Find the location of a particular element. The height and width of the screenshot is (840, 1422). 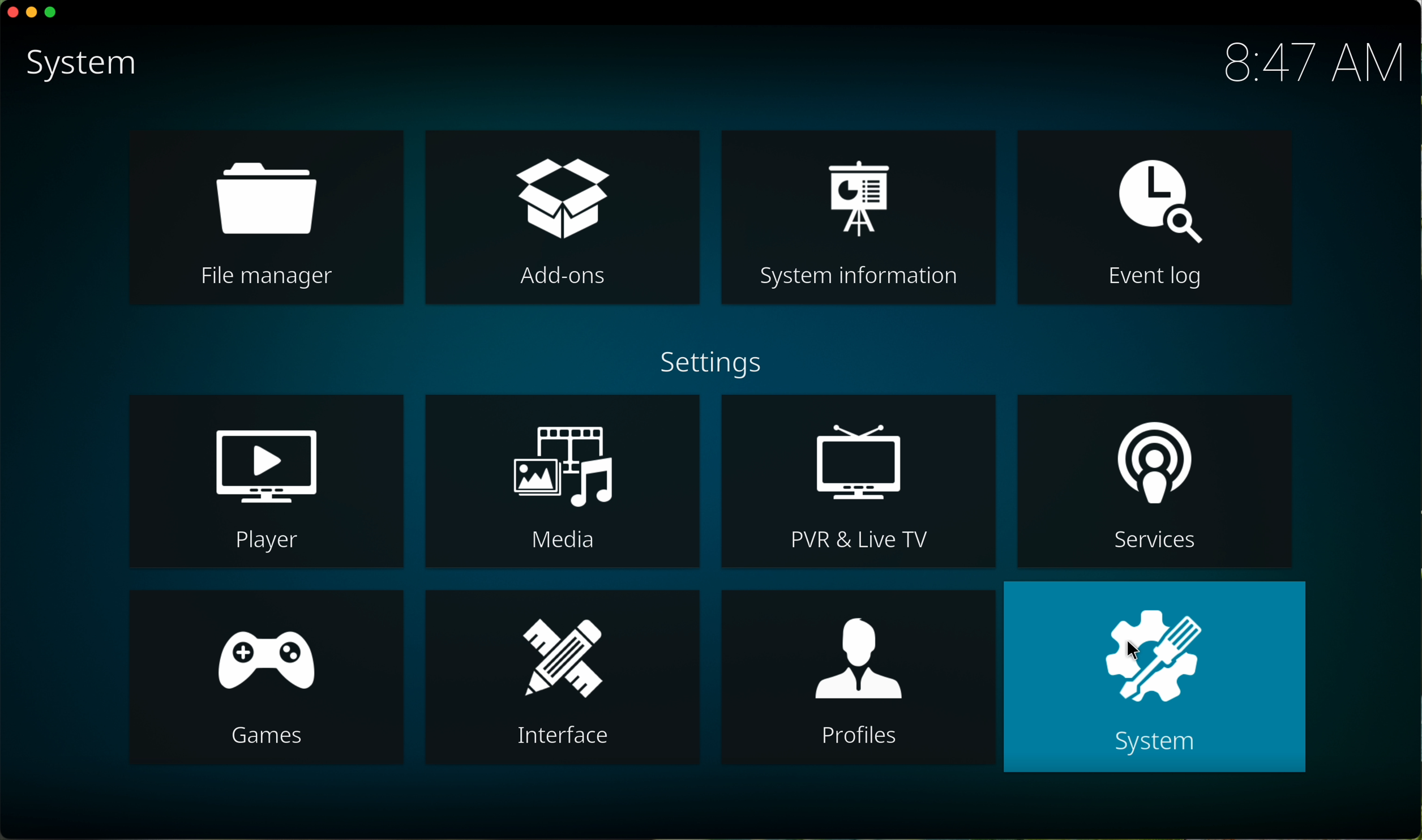

PVR and live TV is located at coordinates (856, 481).